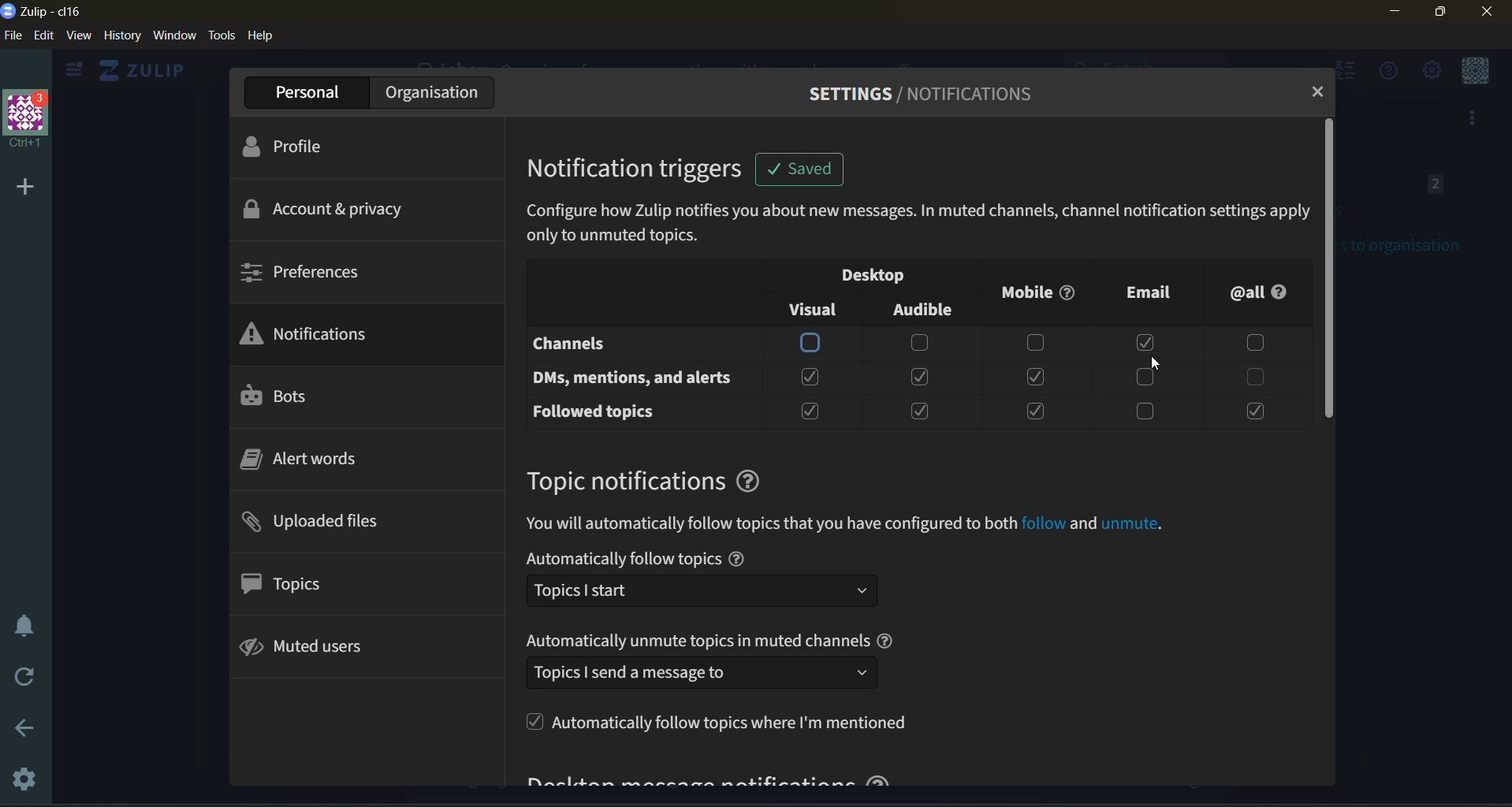 This screenshot has width=1512, height=807. I want to click on checkbox, so click(1145, 377).